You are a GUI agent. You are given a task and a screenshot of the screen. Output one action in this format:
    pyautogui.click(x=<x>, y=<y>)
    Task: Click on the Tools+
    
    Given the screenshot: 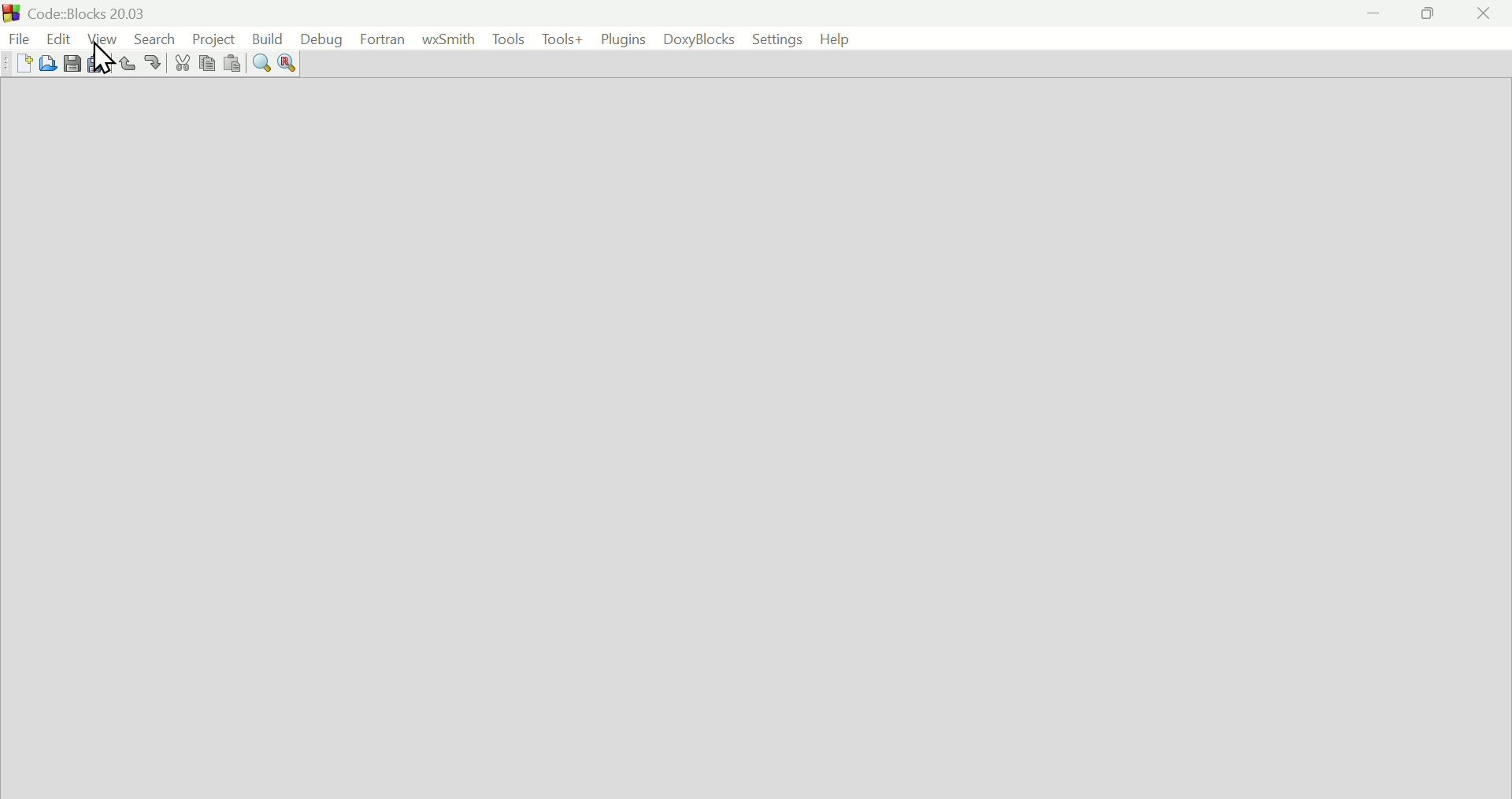 What is the action you would take?
    pyautogui.click(x=562, y=39)
    